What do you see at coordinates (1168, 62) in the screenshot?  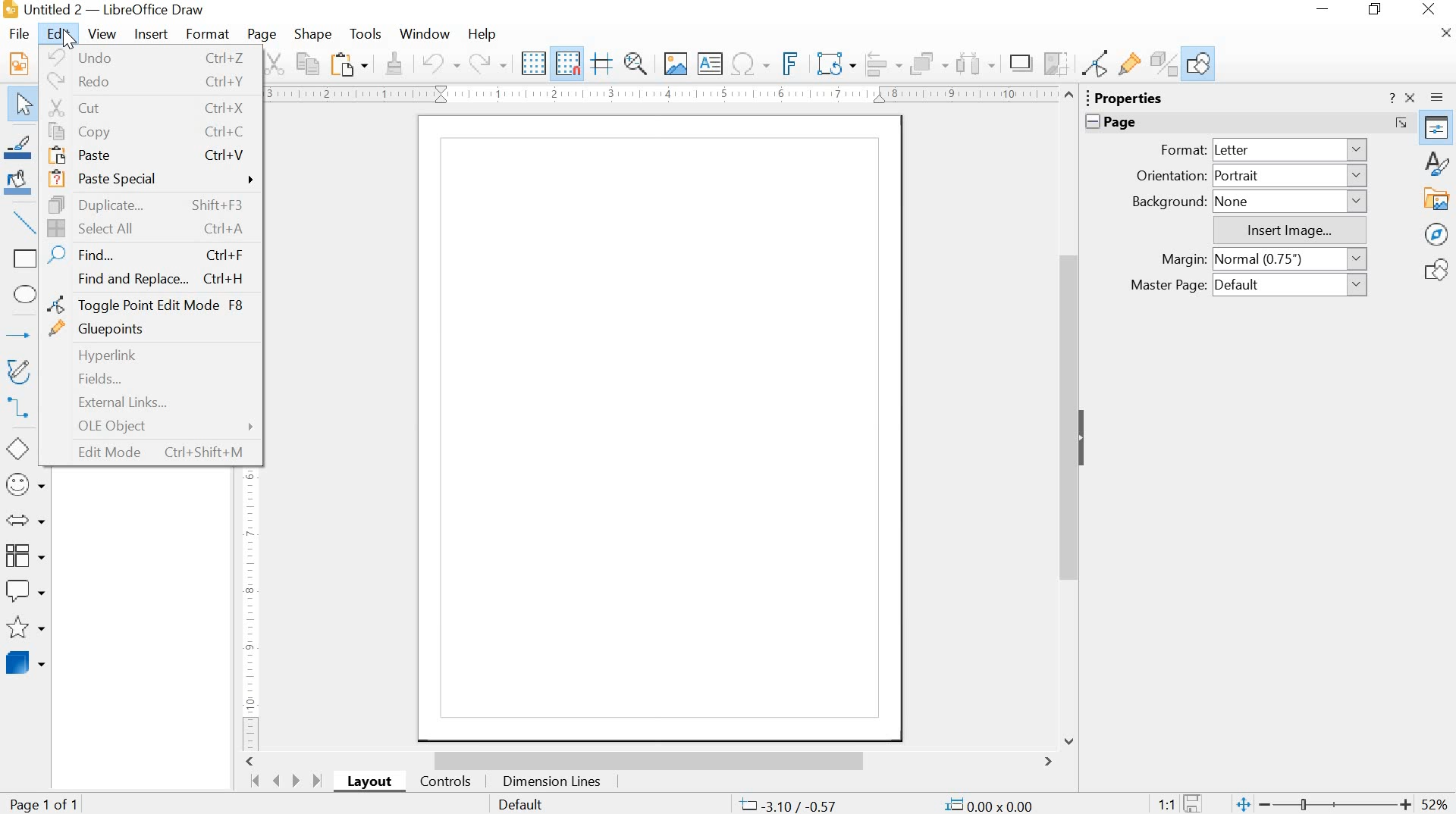 I see `Toggle Extrusion` at bounding box center [1168, 62].